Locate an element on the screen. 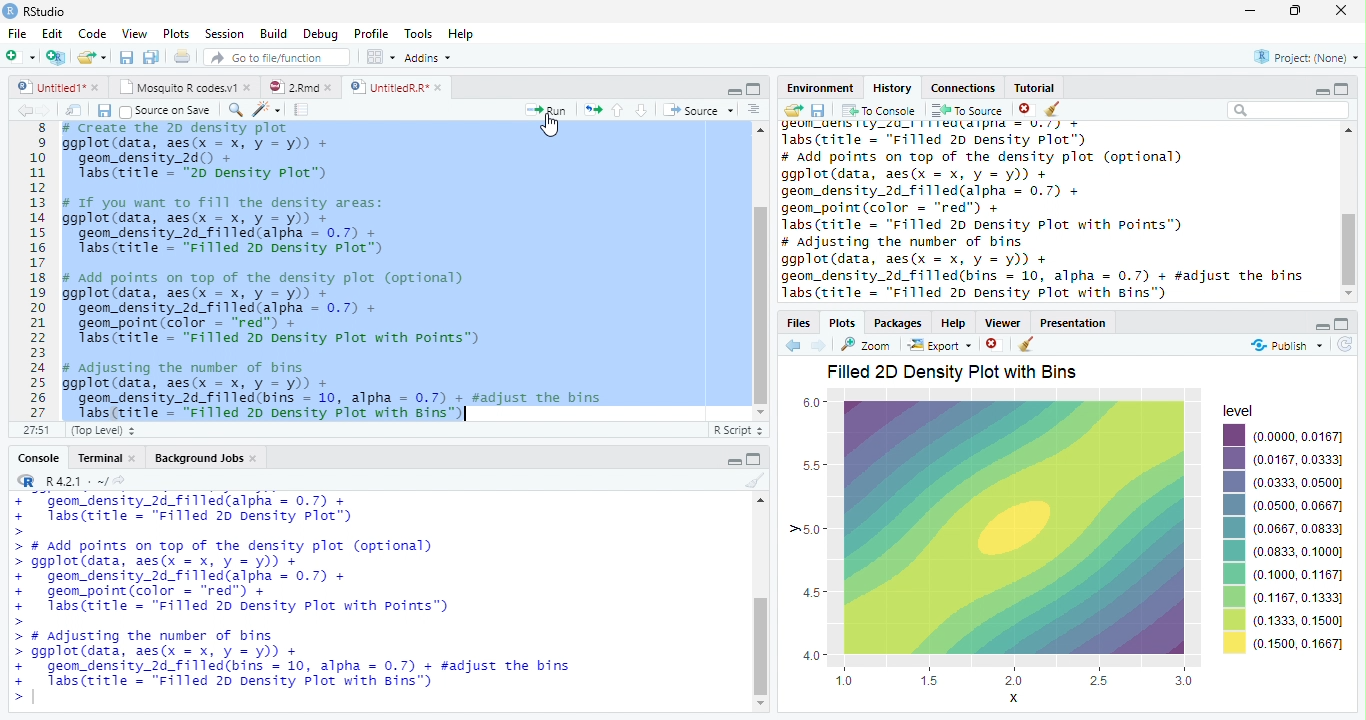 The image size is (1366, 720). labs(title = "Filled 2D Density Plot”)

# add points on top of the density plot (optional)

ggplot (data, aes(x = x, y = y)) +

geon_density_2d_filled(alpha = 0.7) +

geon_point (color = "red") +

labs (title = "Filled 20 Density Plot with Points”)

# adjusting the number of bins

ggplot(data, aes(x = x, y = y)) +

geon_density_2d_filled(bins = 10, alpha = 0.7) + #adjust the bins
labs (title = "Filled 20 Density Plot with sins") is located at coordinates (1050, 213).